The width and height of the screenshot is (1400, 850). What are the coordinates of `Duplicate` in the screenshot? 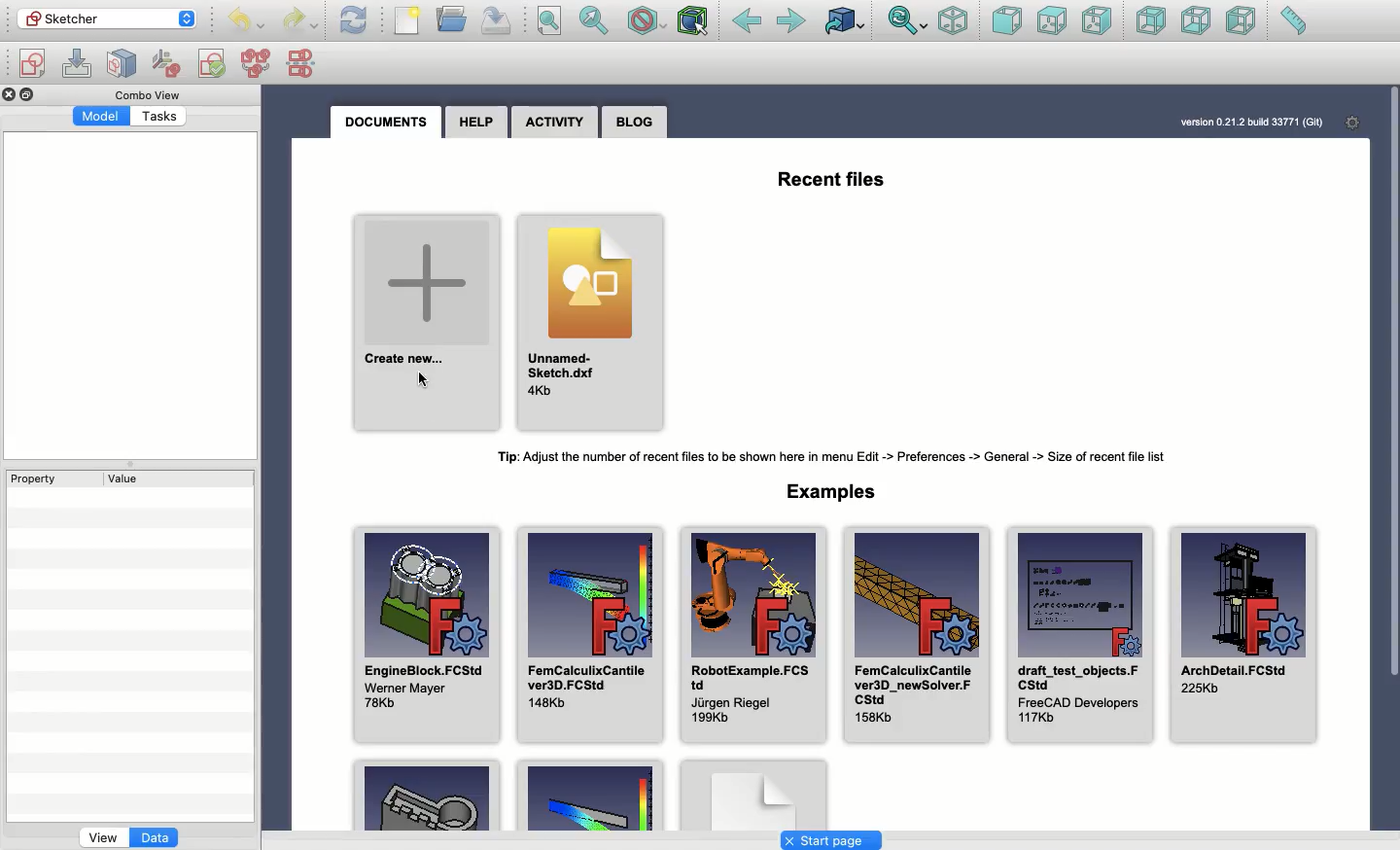 It's located at (29, 93).